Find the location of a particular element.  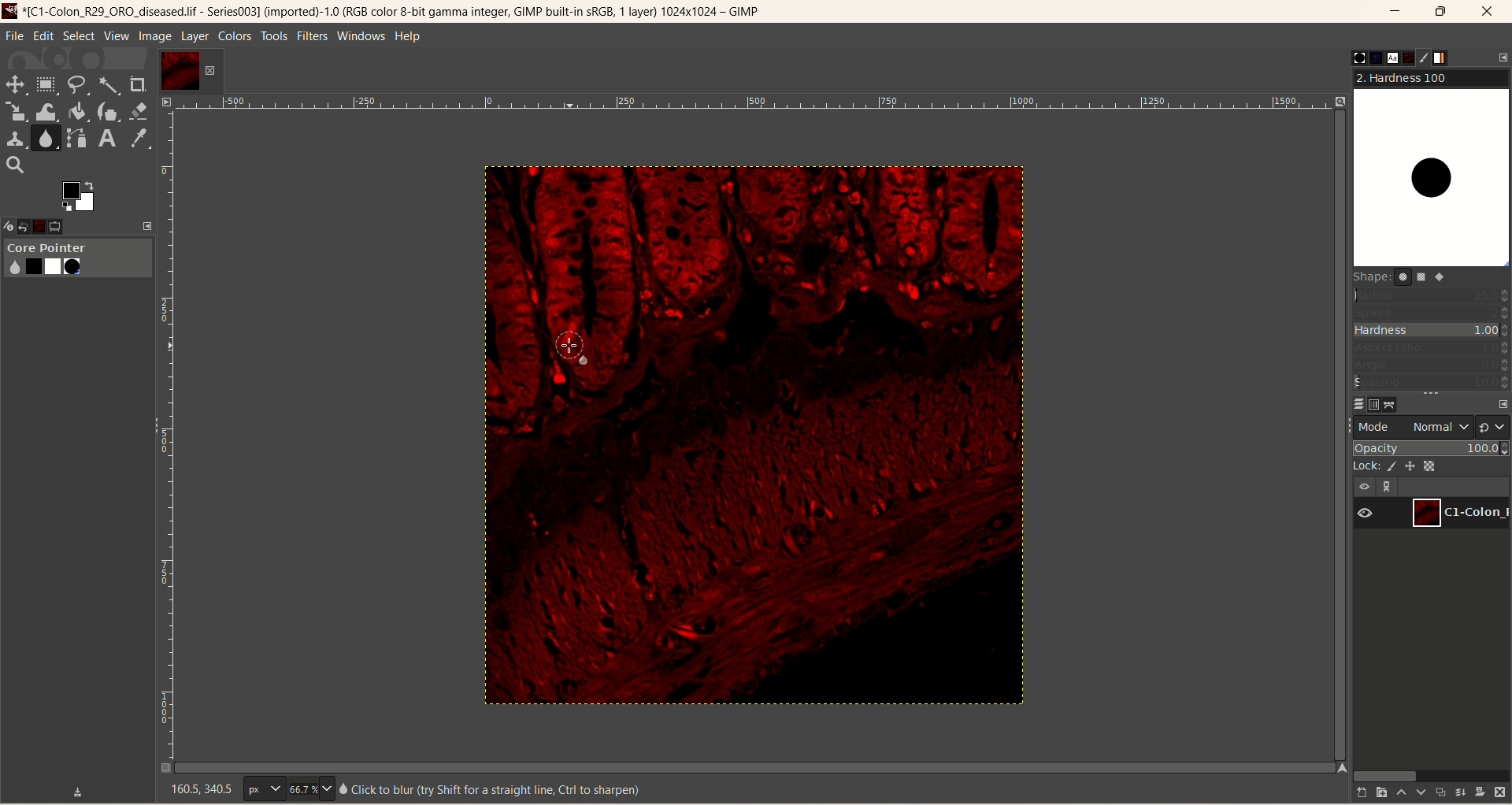

merge this layer is located at coordinates (1459, 792).